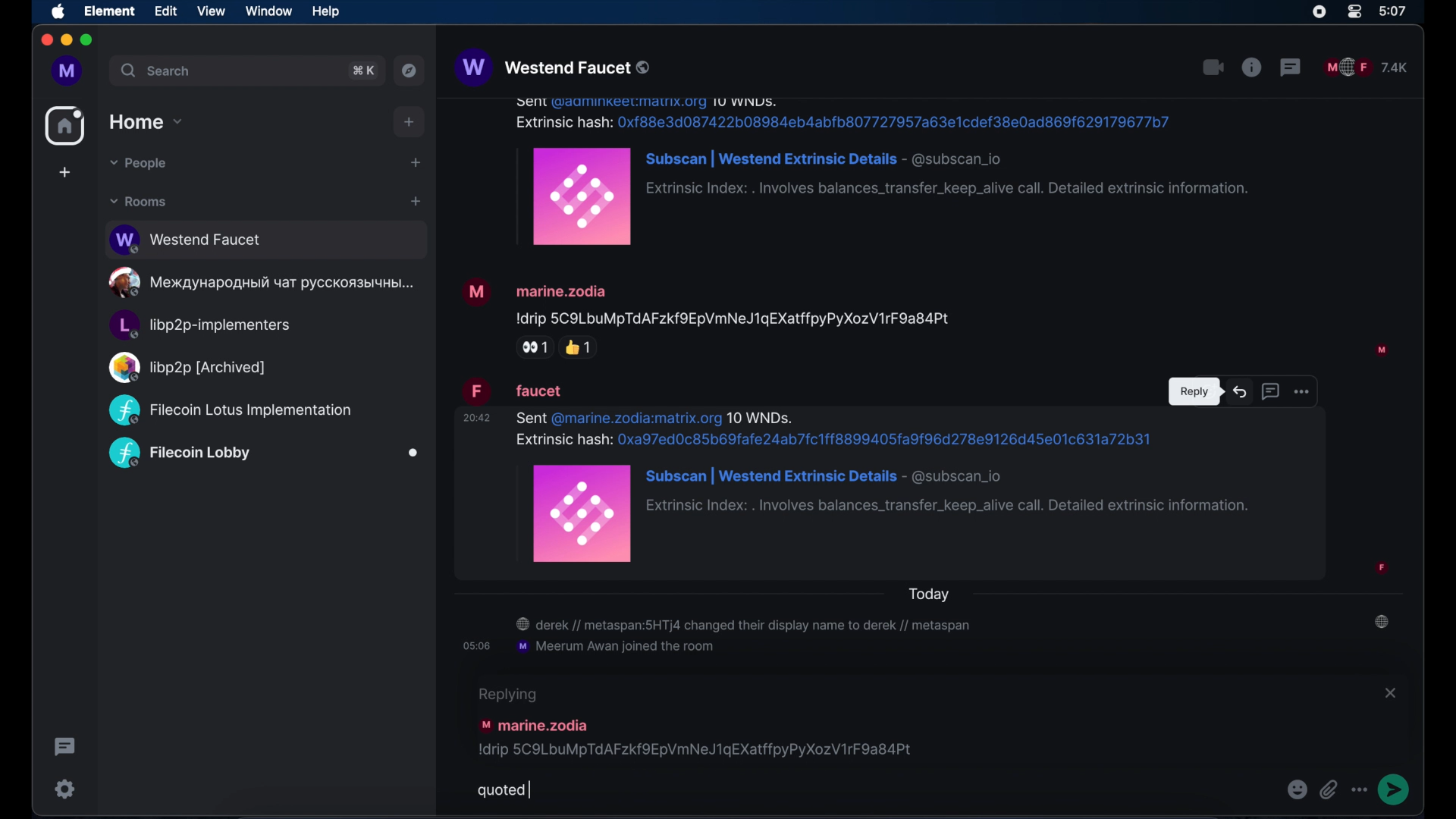 This screenshot has width=1456, height=819. I want to click on message, so click(928, 505).